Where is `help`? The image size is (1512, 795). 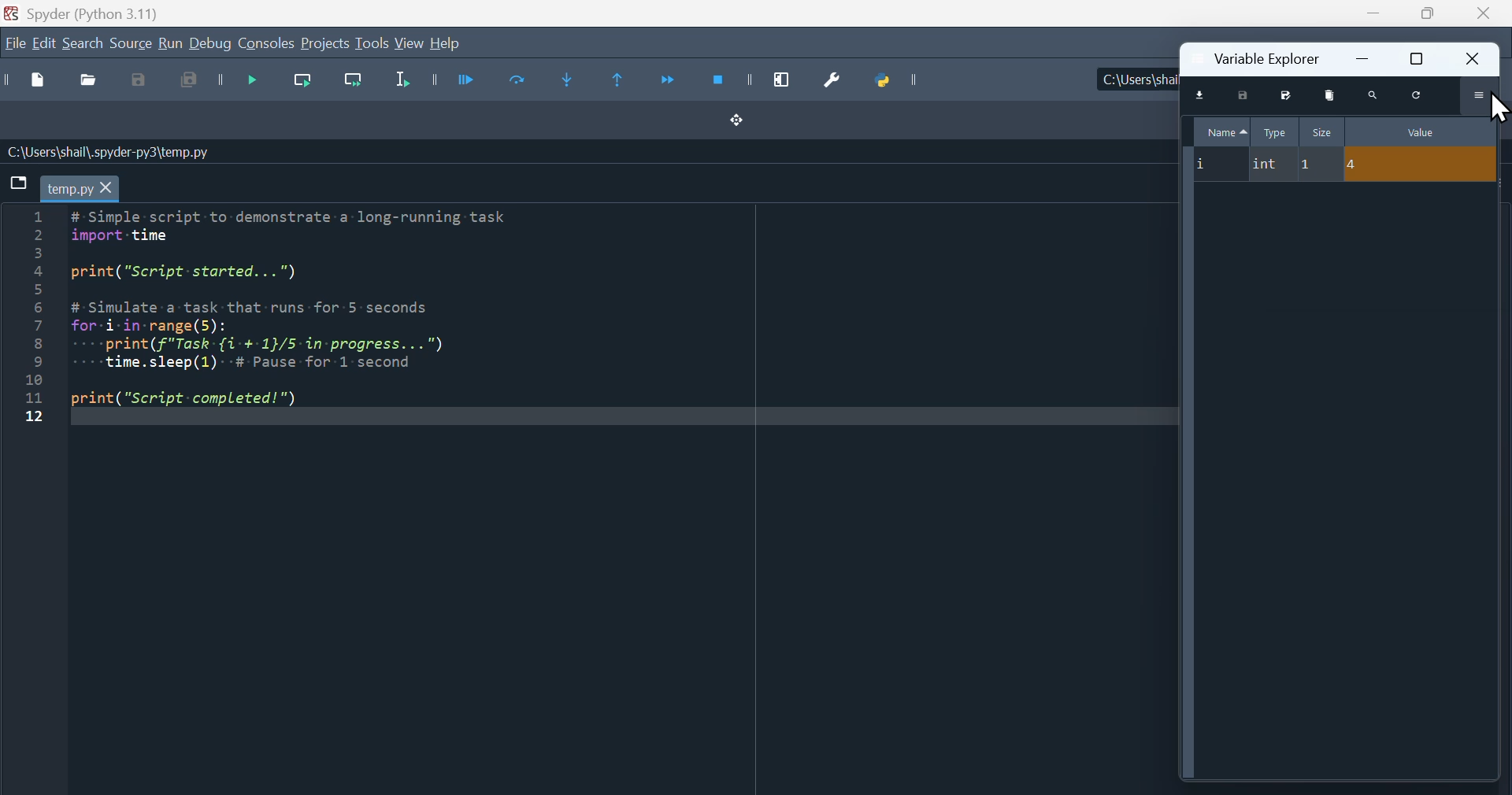
help is located at coordinates (446, 43).